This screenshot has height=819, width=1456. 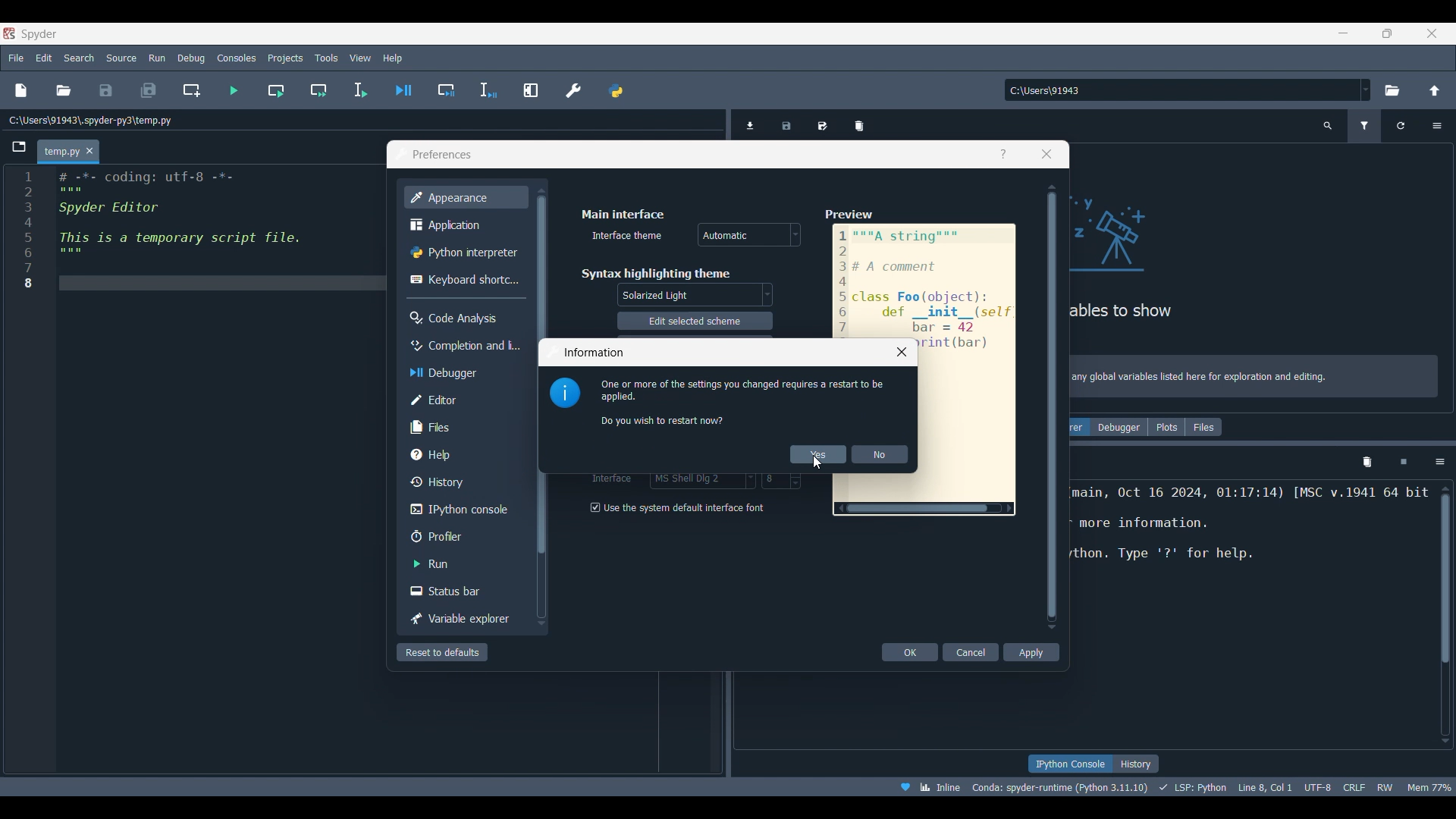 What do you see at coordinates (1003, 154) in the screenshot?
I see `Help` at bounding box center [1003, 154].